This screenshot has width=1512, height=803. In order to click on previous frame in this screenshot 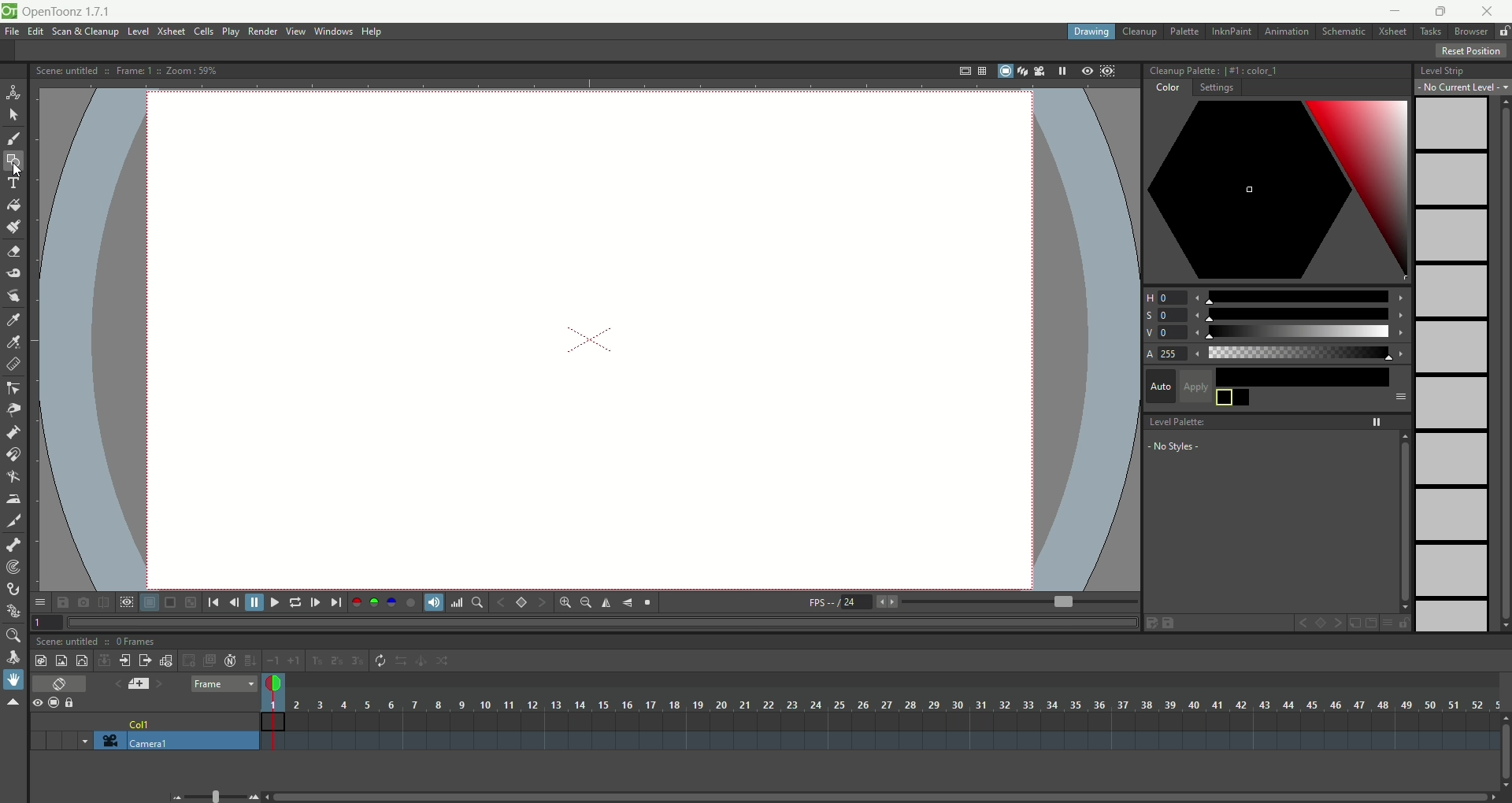, I will do `click(232, 602)`.